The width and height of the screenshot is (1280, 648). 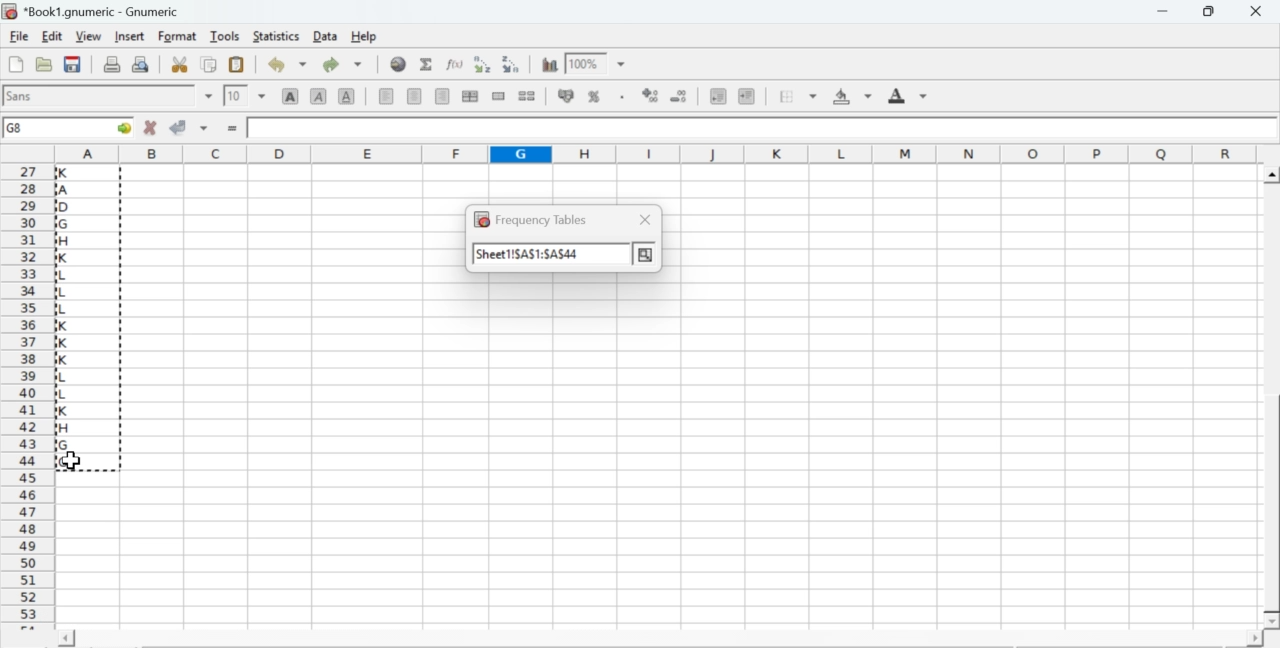 What do you see at coordinates (112, 63) in the screenshot?
I see `print` at bounding box center [112, 63].